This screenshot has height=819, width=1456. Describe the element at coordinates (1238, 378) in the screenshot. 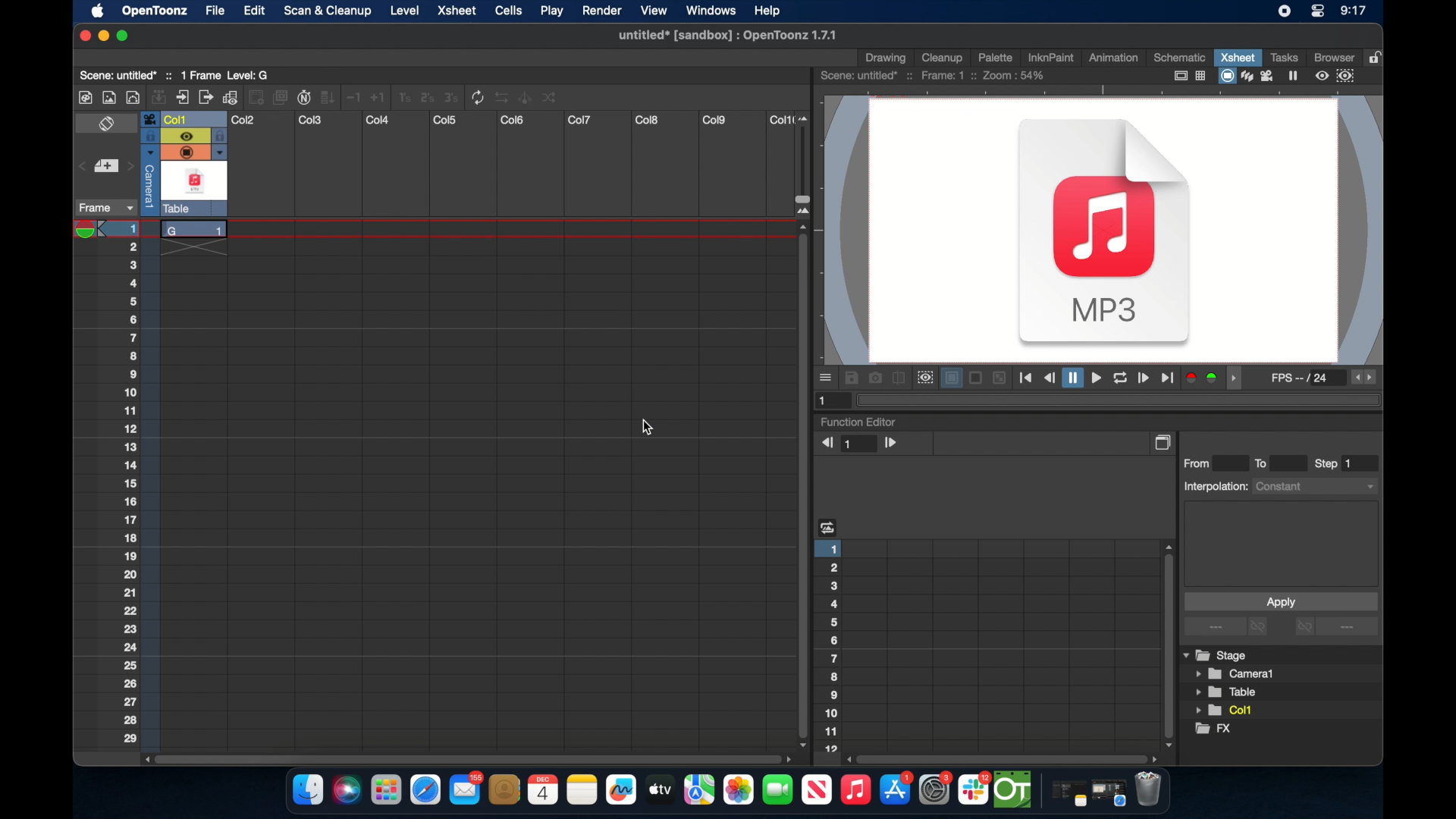

I see `drag handle` at that location.